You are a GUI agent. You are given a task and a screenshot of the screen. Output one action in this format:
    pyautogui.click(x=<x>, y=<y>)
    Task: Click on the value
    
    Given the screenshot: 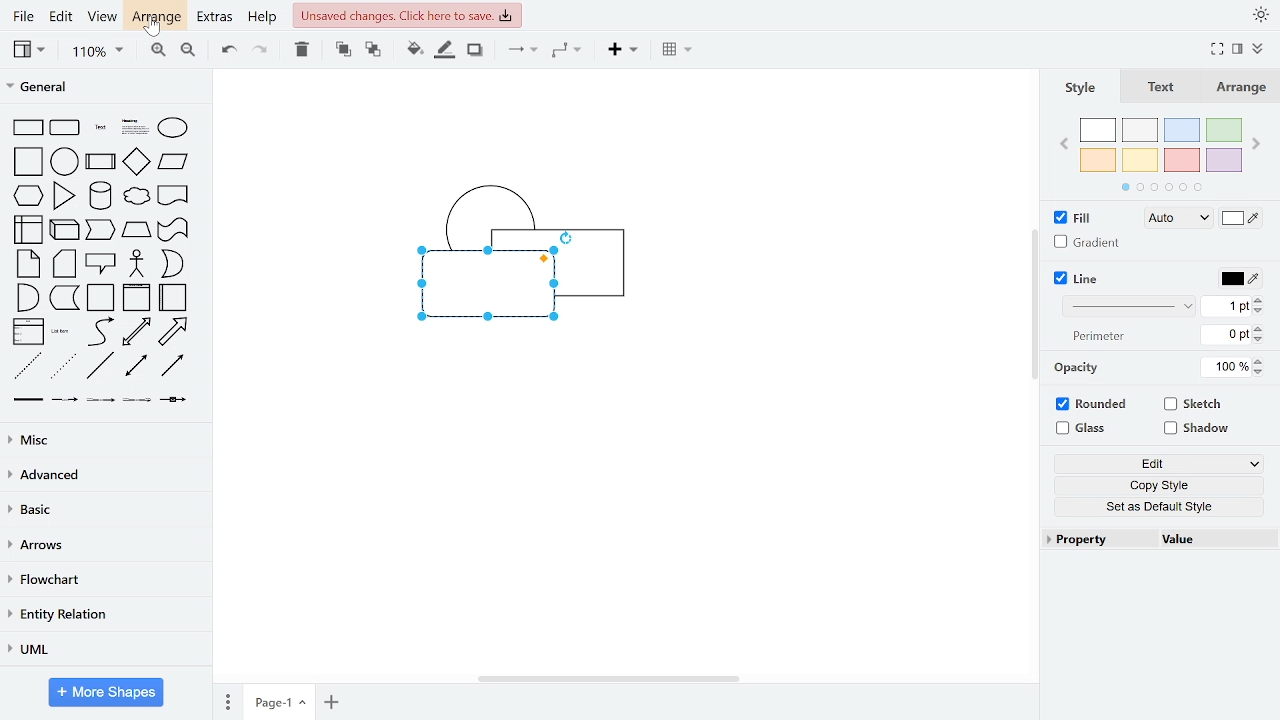 What is the action you would take?
    pyautogui.click(x=1211, y=542)
    